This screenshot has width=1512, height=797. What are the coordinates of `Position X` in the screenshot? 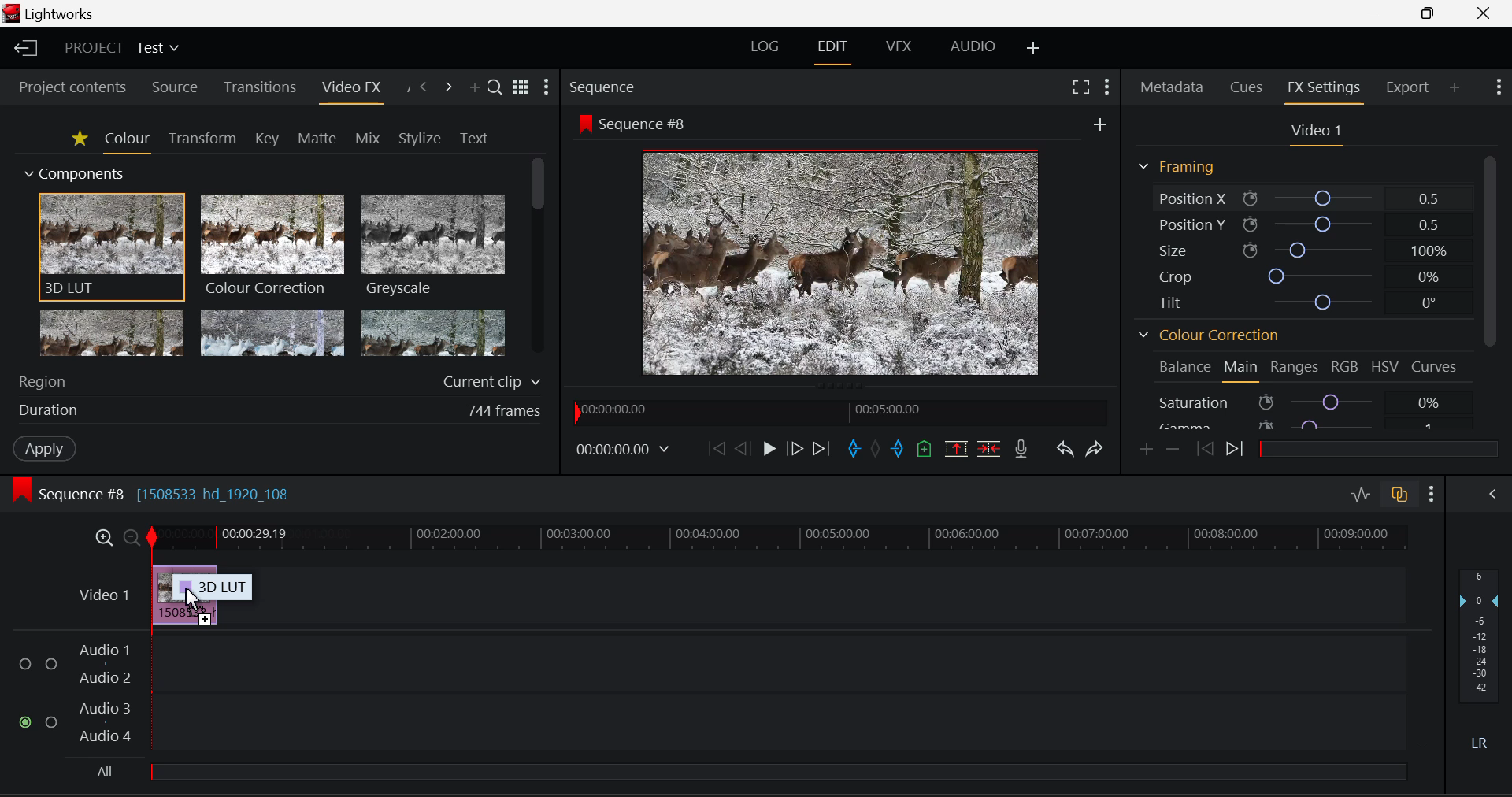 It's located at (1309, 198).